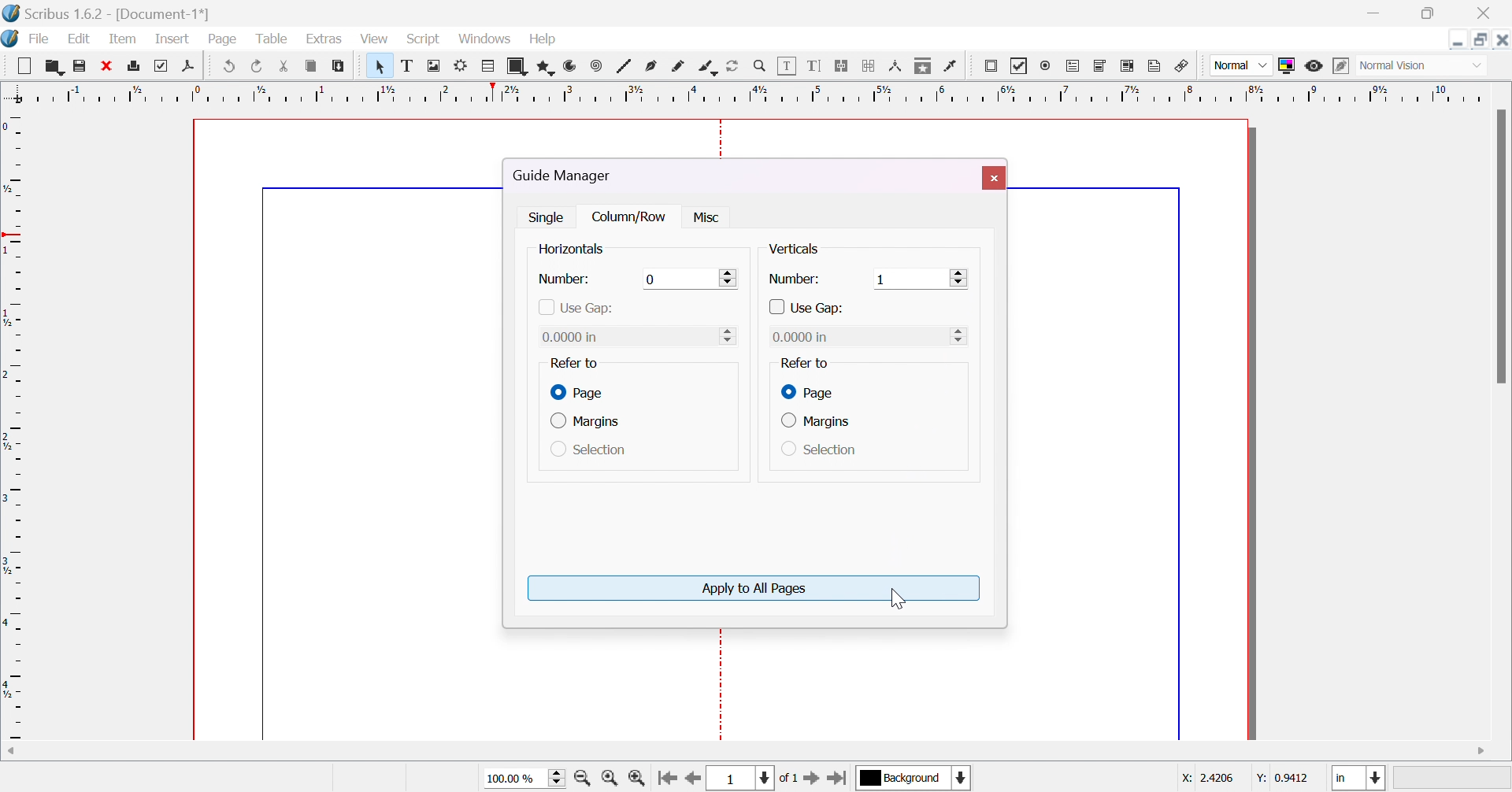 The width and height of the screenshot is (1512, 792). I want to click on use gap, so click(808, 309).